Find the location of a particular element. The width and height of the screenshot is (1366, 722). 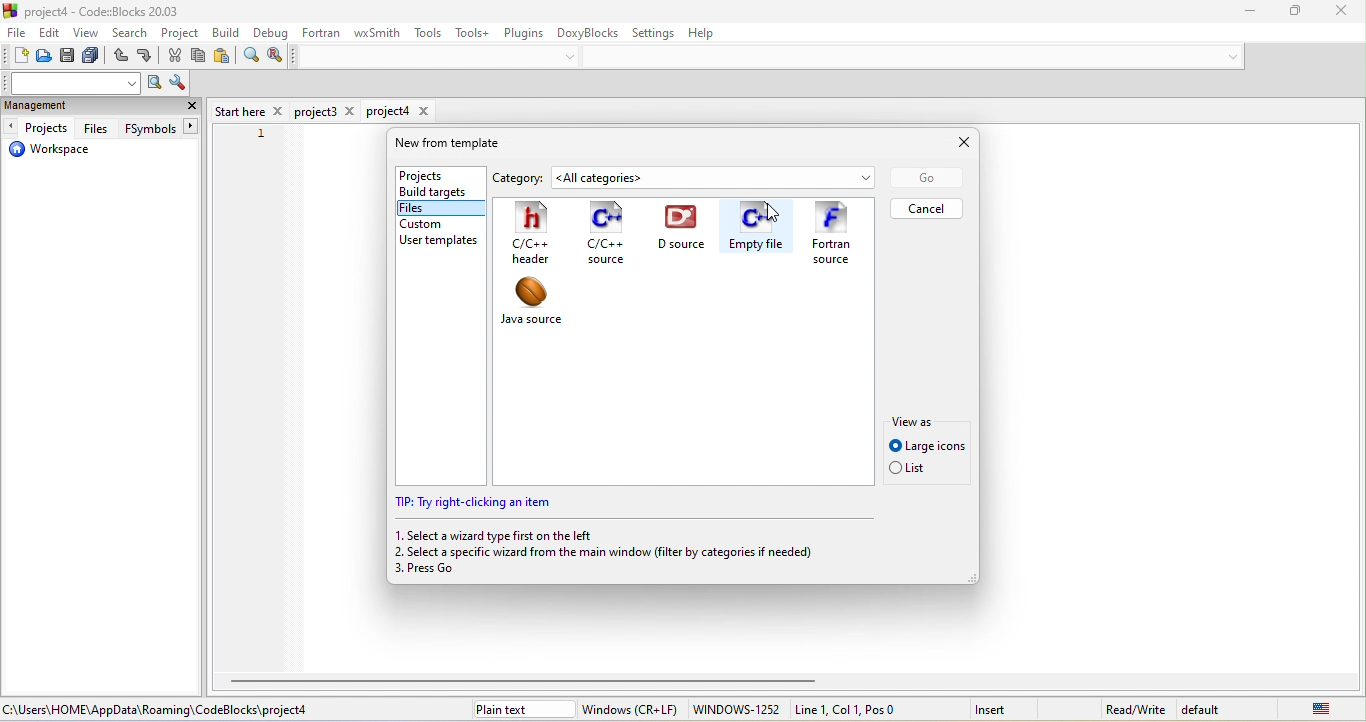

close is located at coordinates (1333, 10).